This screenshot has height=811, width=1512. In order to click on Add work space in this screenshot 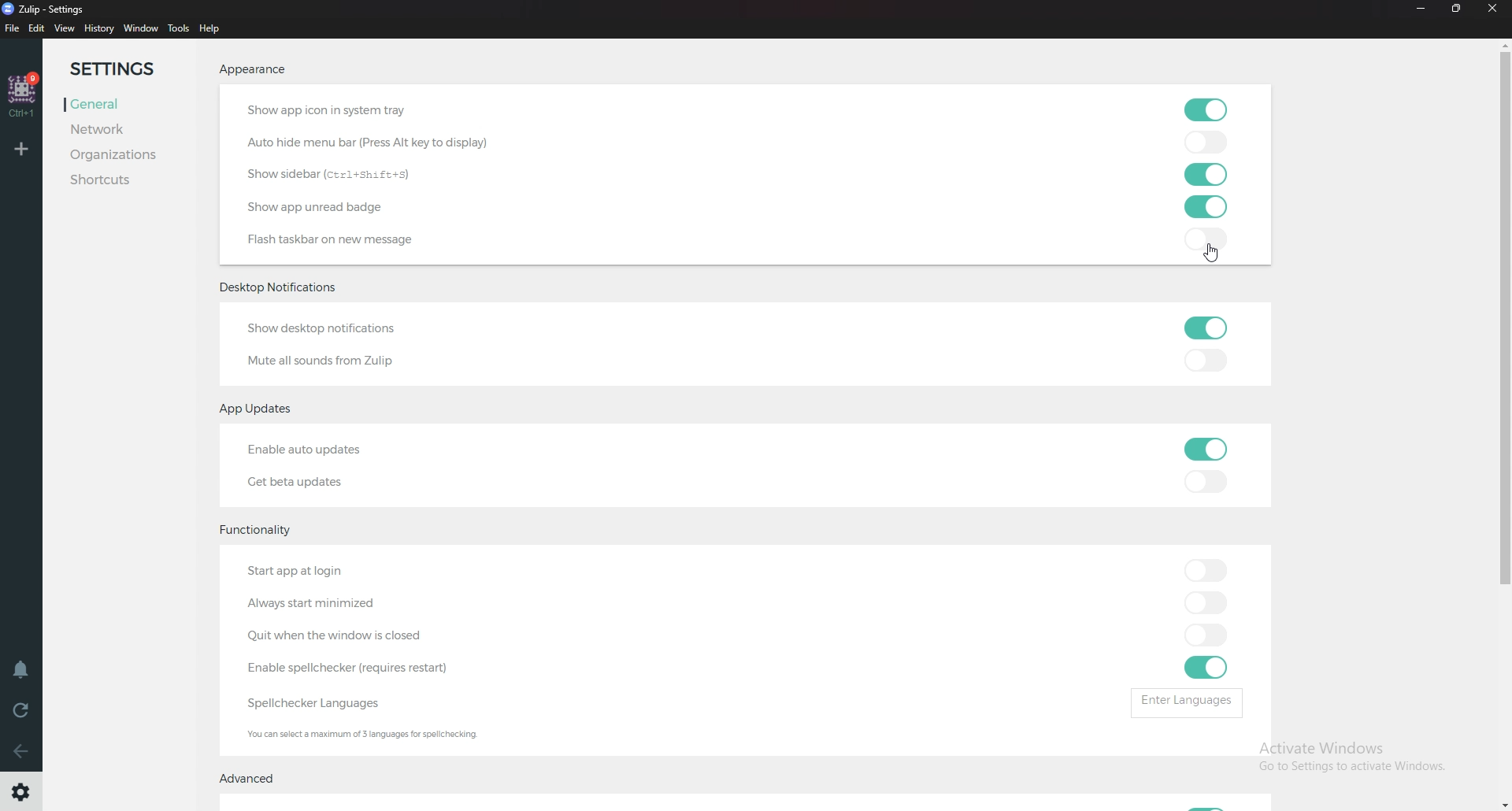, I will do `click(23, 148)`.